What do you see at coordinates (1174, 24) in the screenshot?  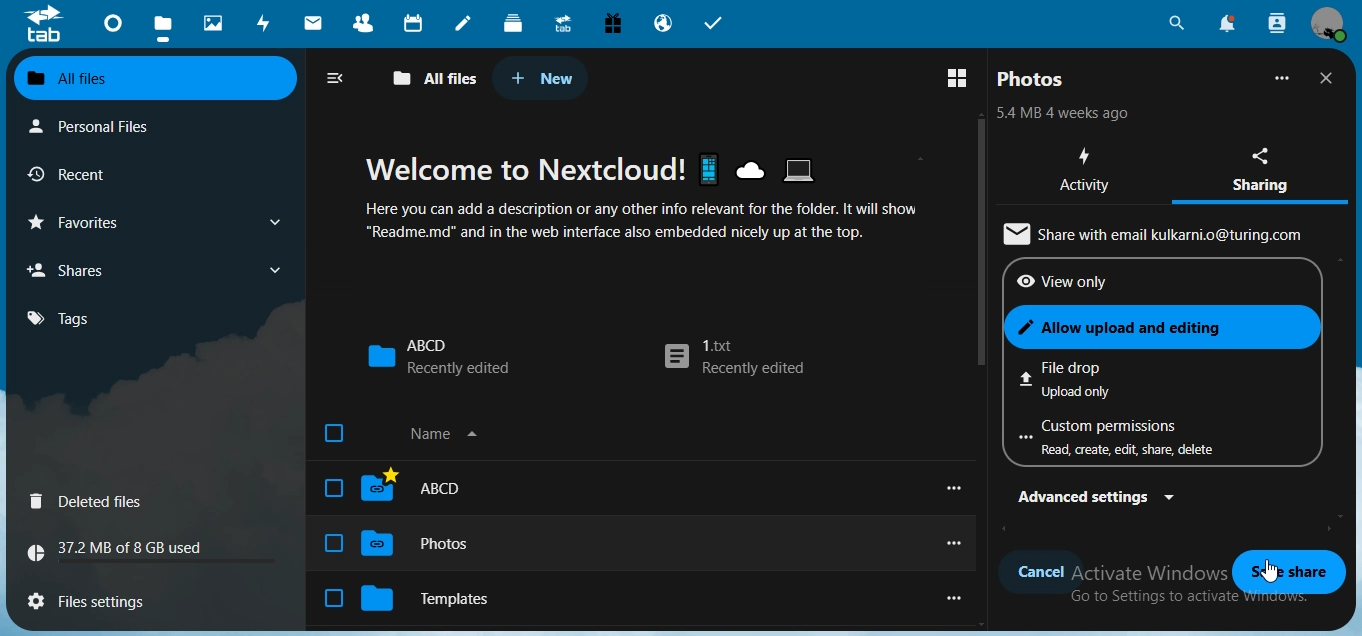 I see `search` at bounding box center [1174, 24].